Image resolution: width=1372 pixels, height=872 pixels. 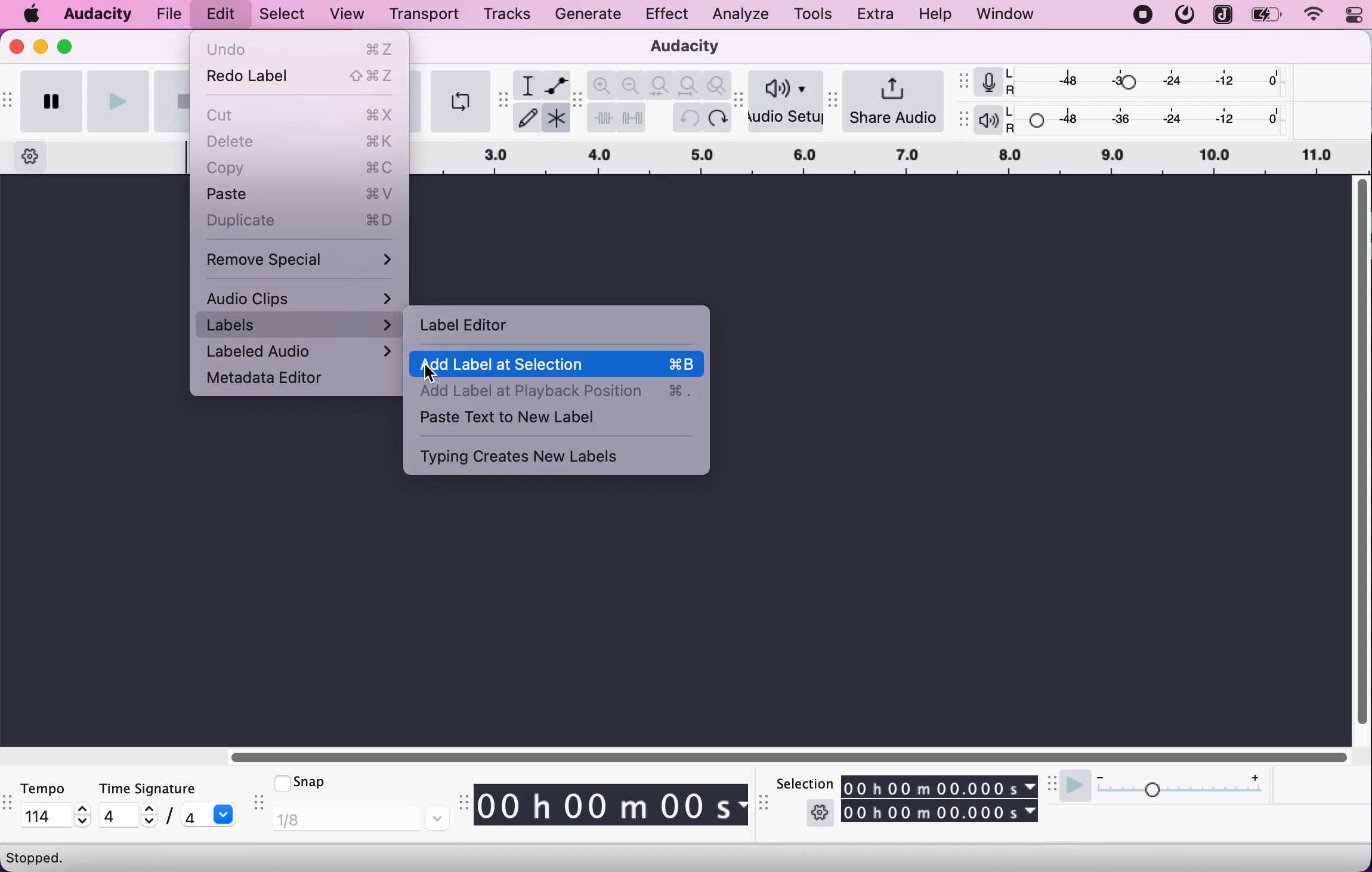 What do you see at coordinates (527, 119) in the screenshot?
I see `draw tool` at bounding box center [527, 119].